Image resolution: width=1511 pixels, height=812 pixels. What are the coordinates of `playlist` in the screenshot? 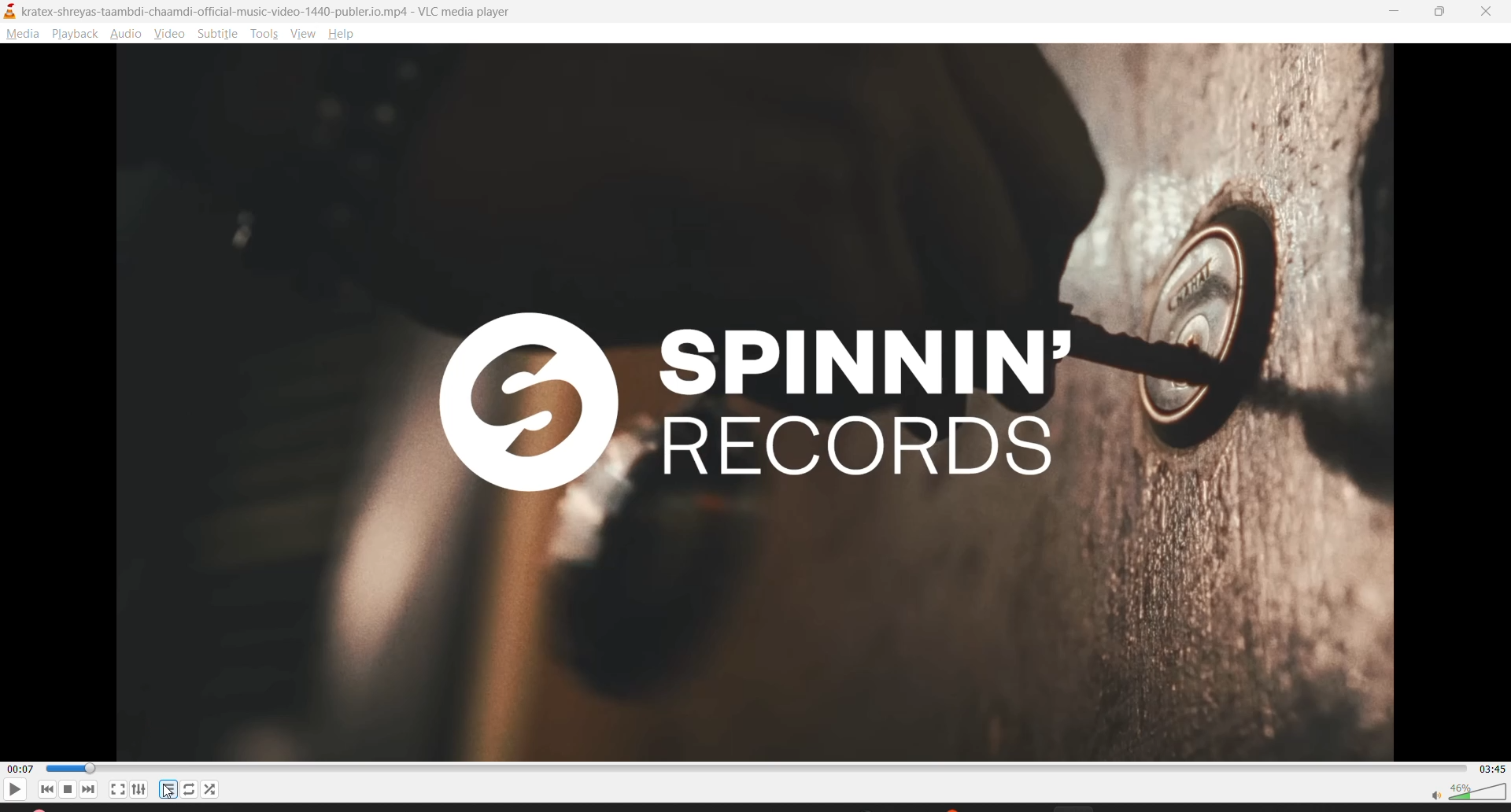 It's located at (168, 788).